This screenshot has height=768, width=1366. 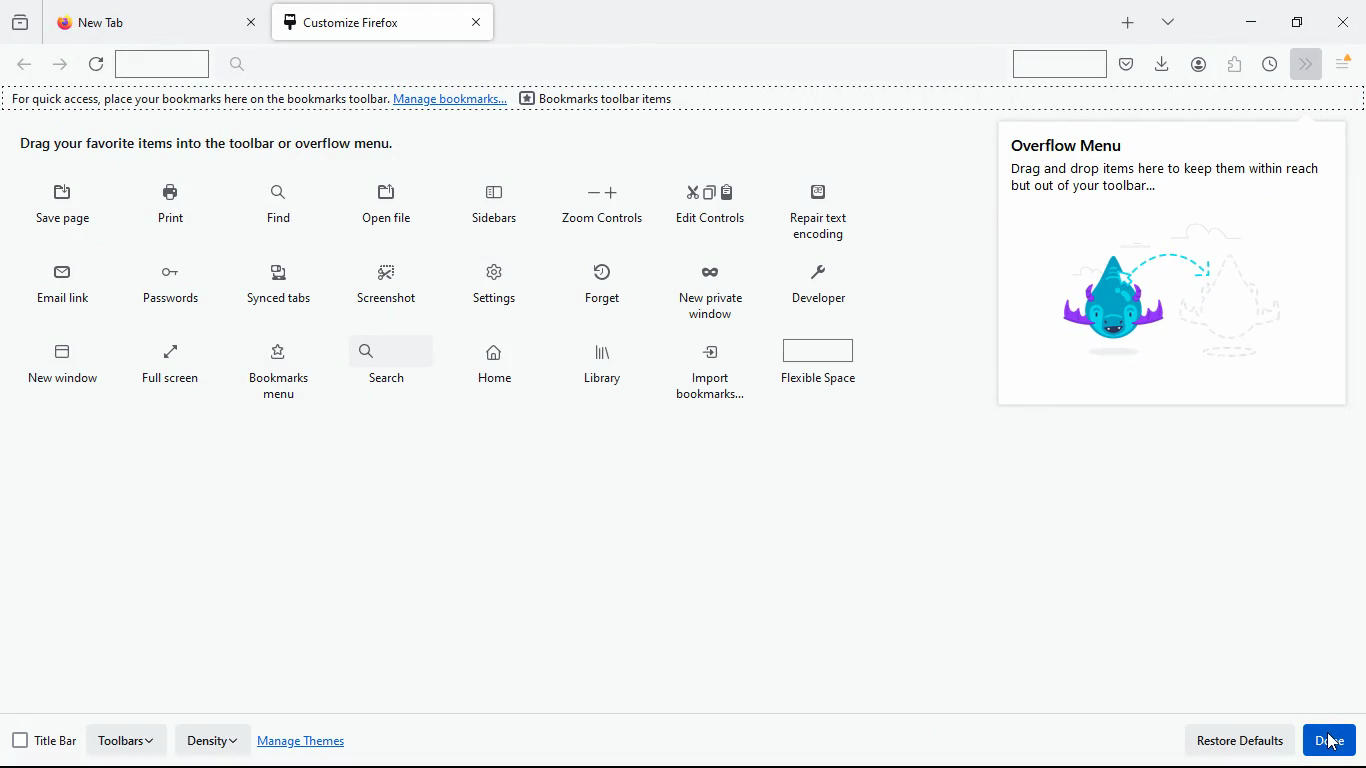 I want to click on tab, so click(x=156, y=23).